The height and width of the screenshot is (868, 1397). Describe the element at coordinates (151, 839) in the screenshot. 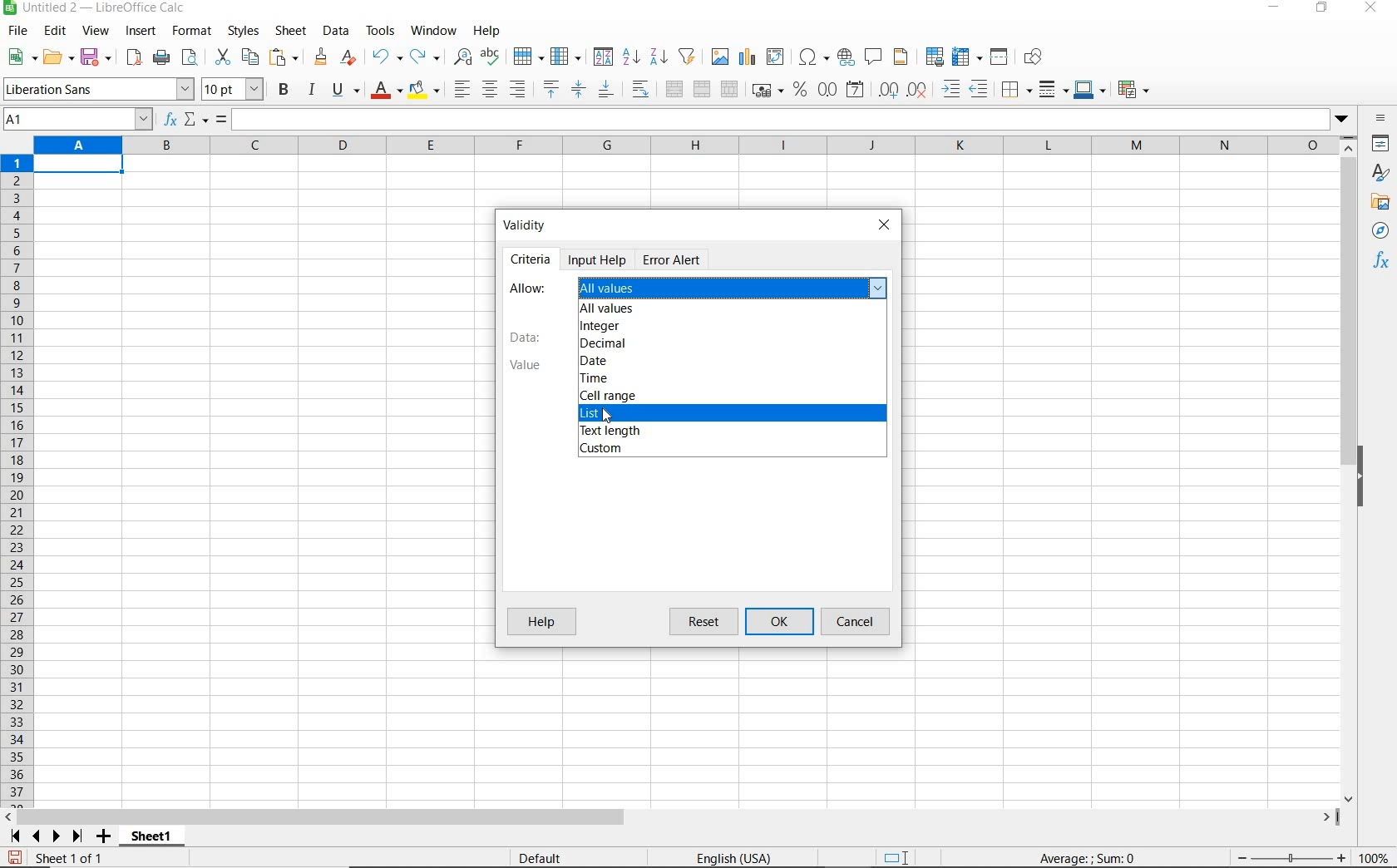

I see `sheet1` at that location.